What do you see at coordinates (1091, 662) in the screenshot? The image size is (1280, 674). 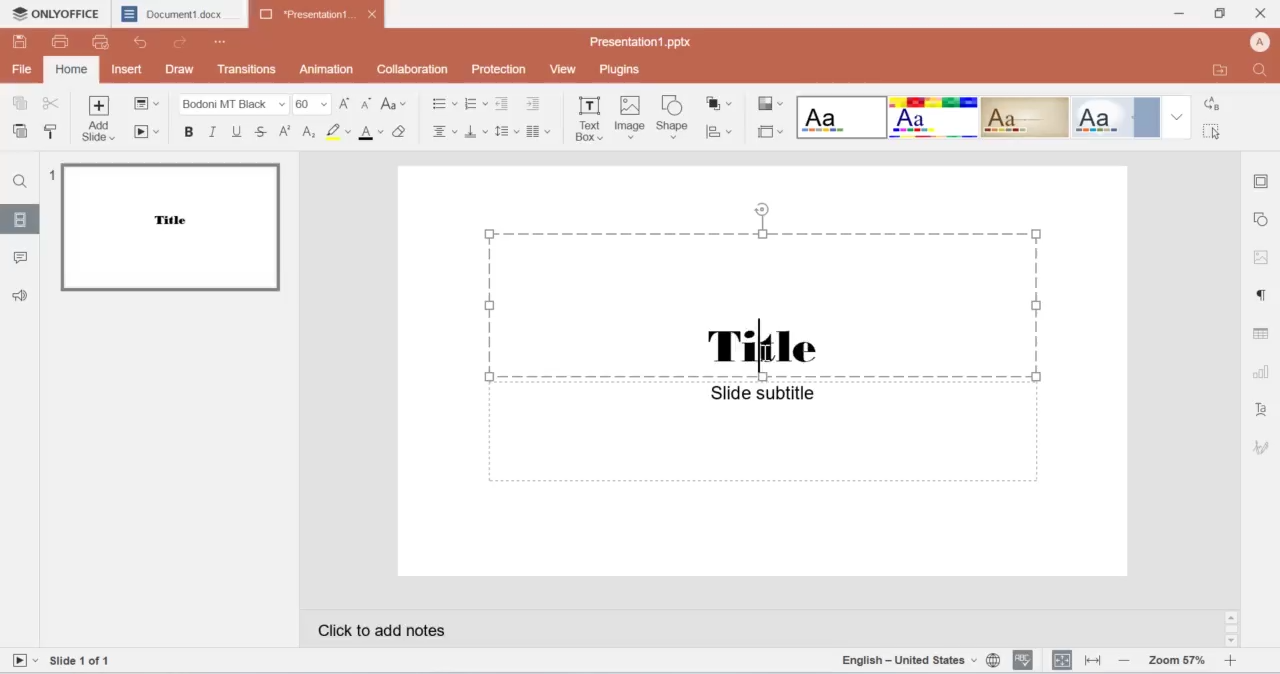 I see `resize` at bounding box center [1091, 662].